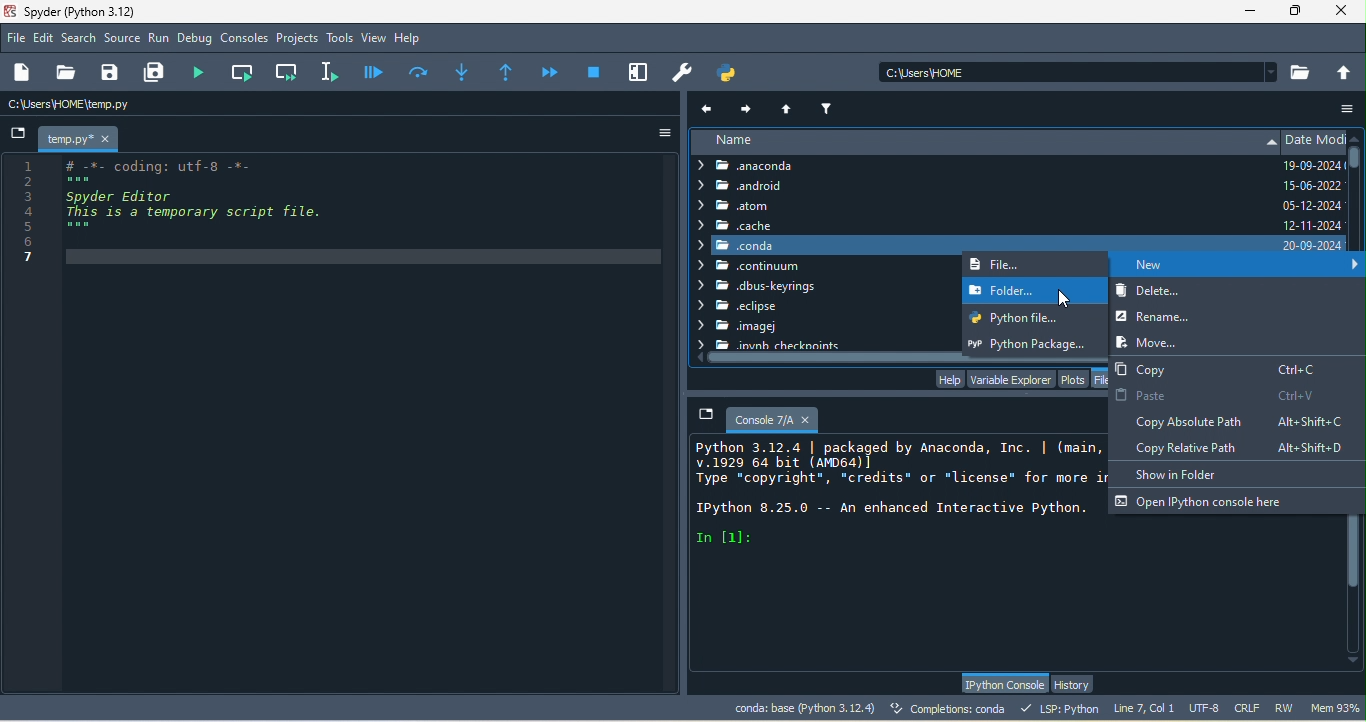  What do you see at coordinates (204, 72) in the screenshot?
I see `run file` at bounding box center [204, 72].